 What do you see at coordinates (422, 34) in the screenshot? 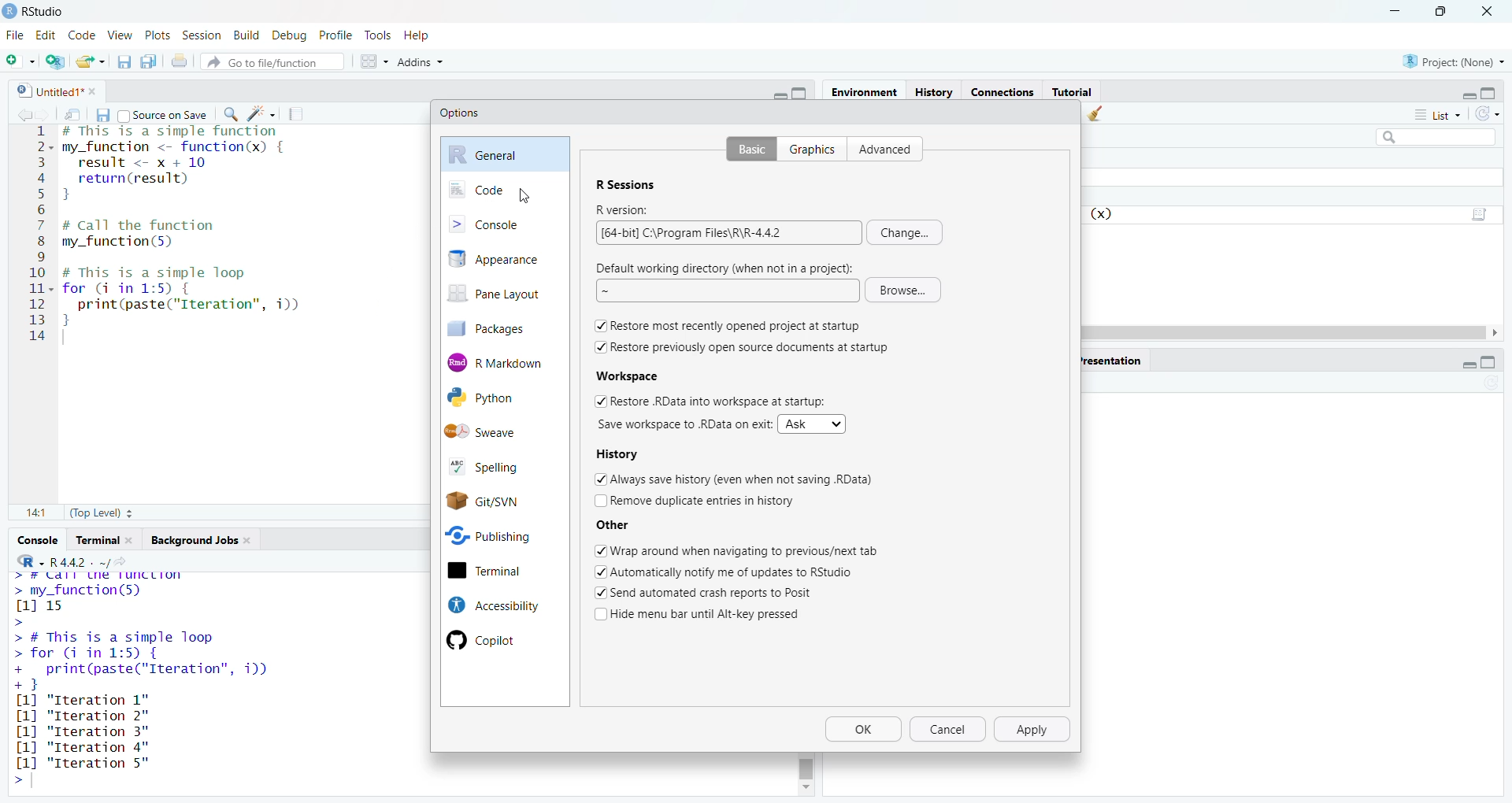
I see `help` at bounding box center [422, 34].